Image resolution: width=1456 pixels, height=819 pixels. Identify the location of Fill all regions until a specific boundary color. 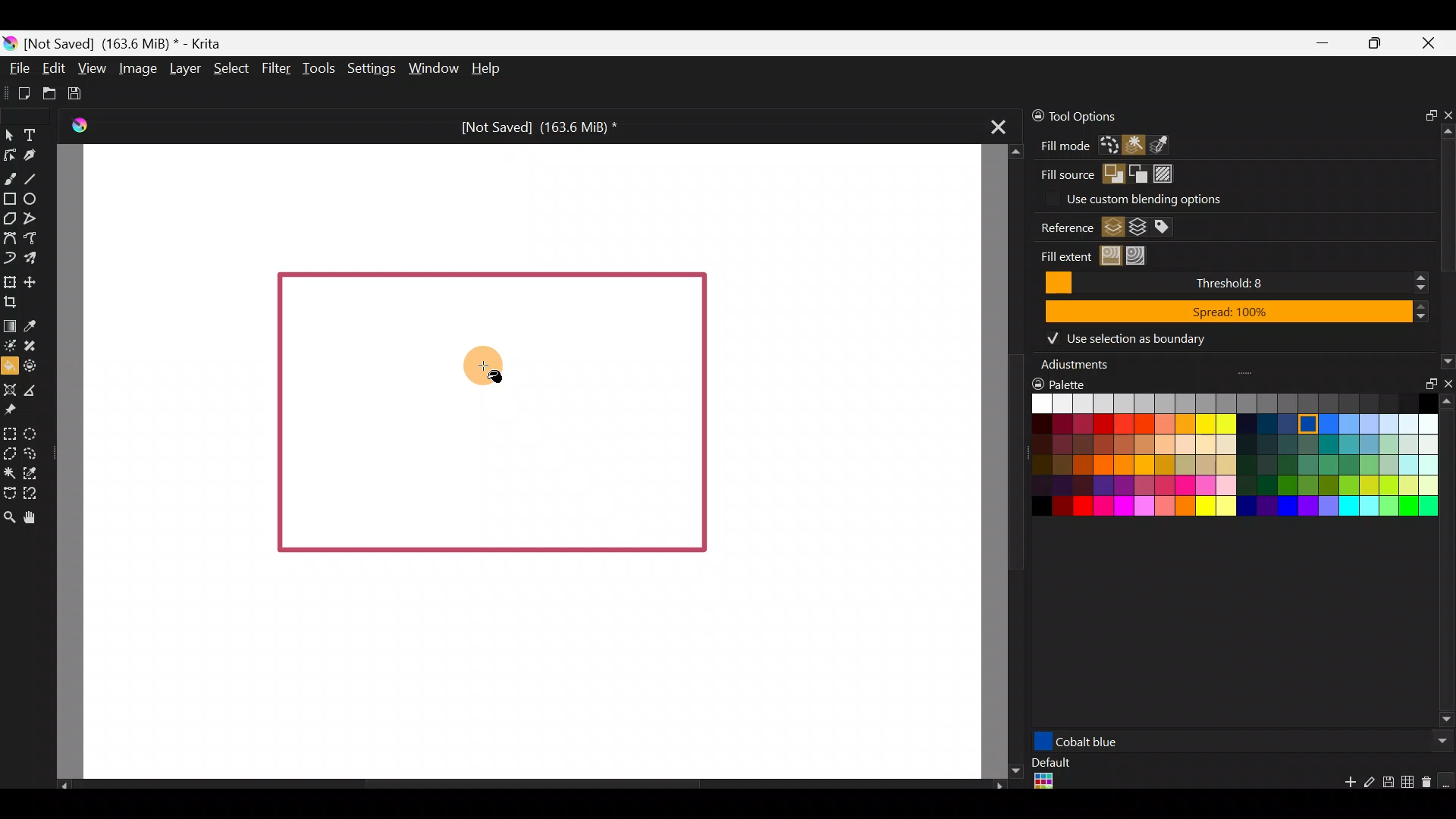
(1141, 255).